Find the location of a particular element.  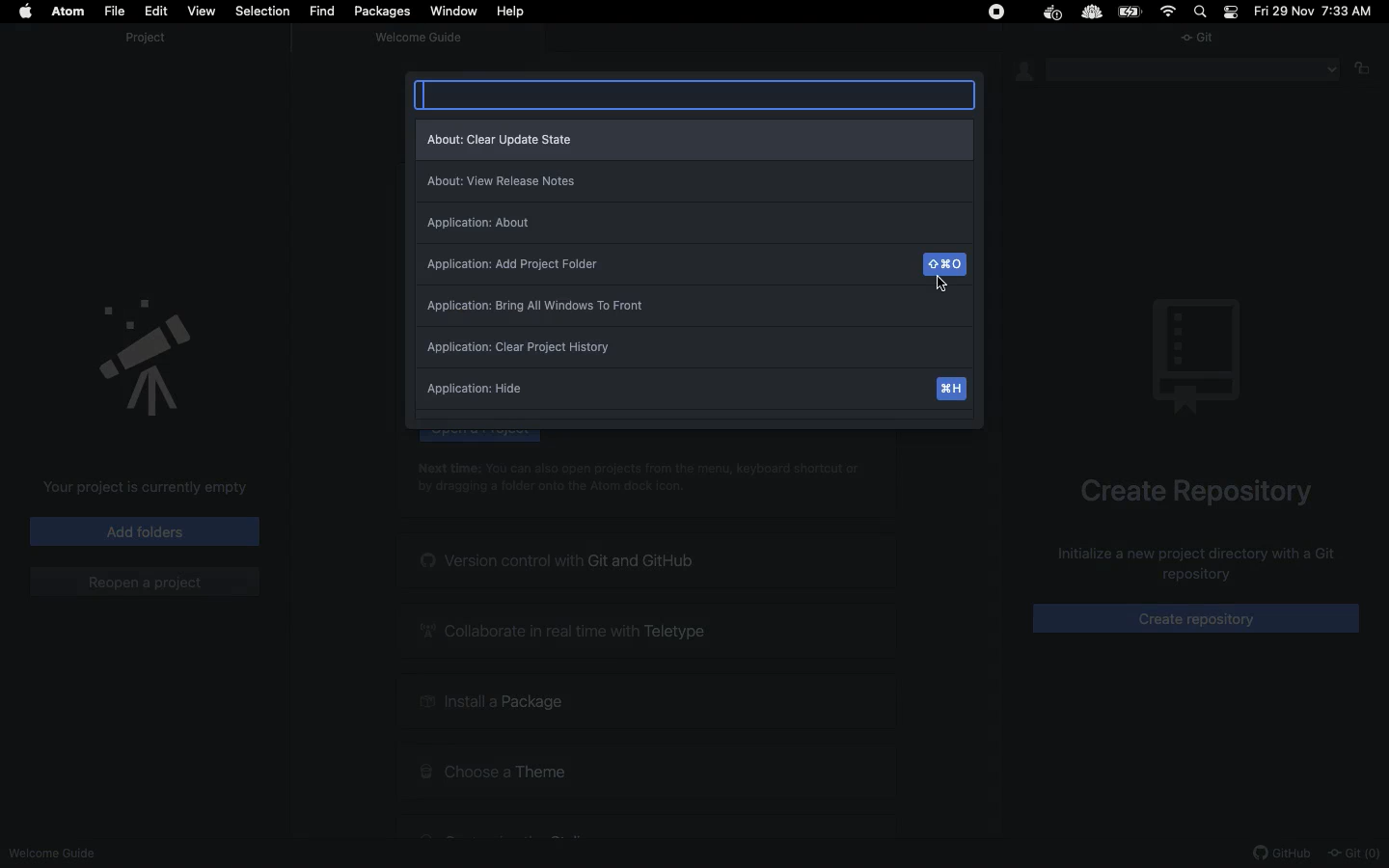

Window is located at coordinates (456, 12).